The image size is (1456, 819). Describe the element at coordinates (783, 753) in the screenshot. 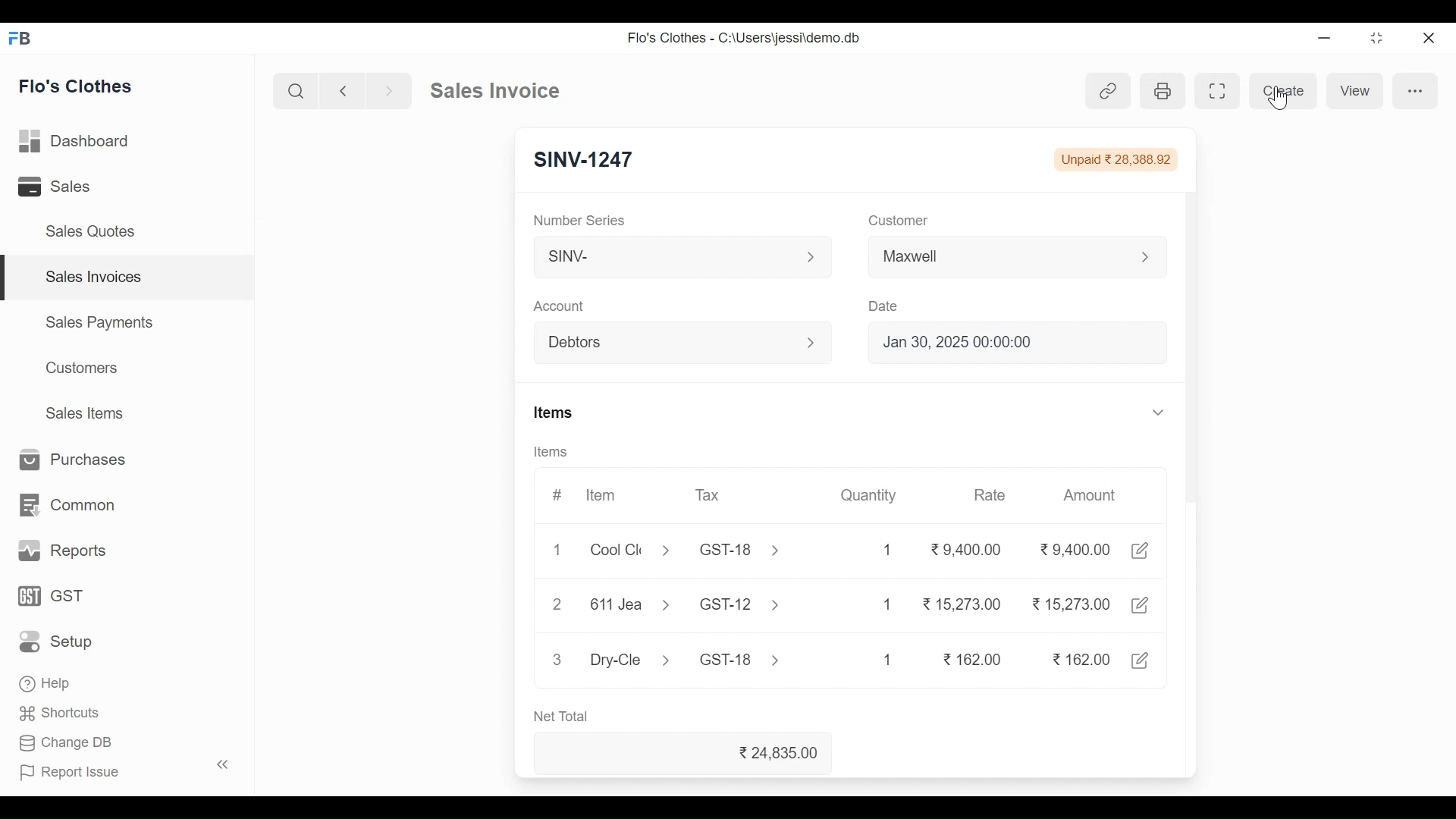

I see `24,835.00` at that location.